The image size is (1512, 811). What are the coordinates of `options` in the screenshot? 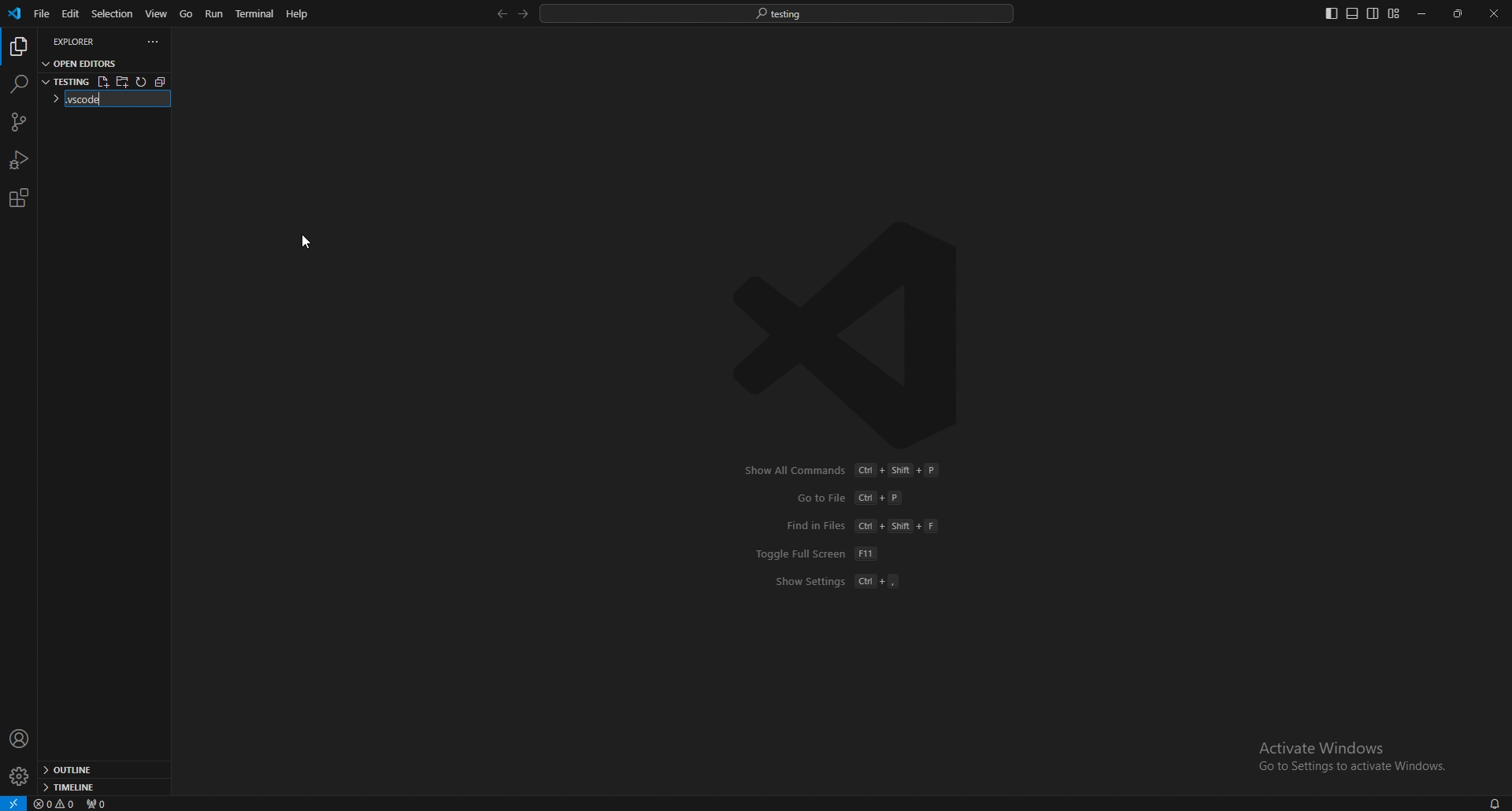 It's located at (154, 42).